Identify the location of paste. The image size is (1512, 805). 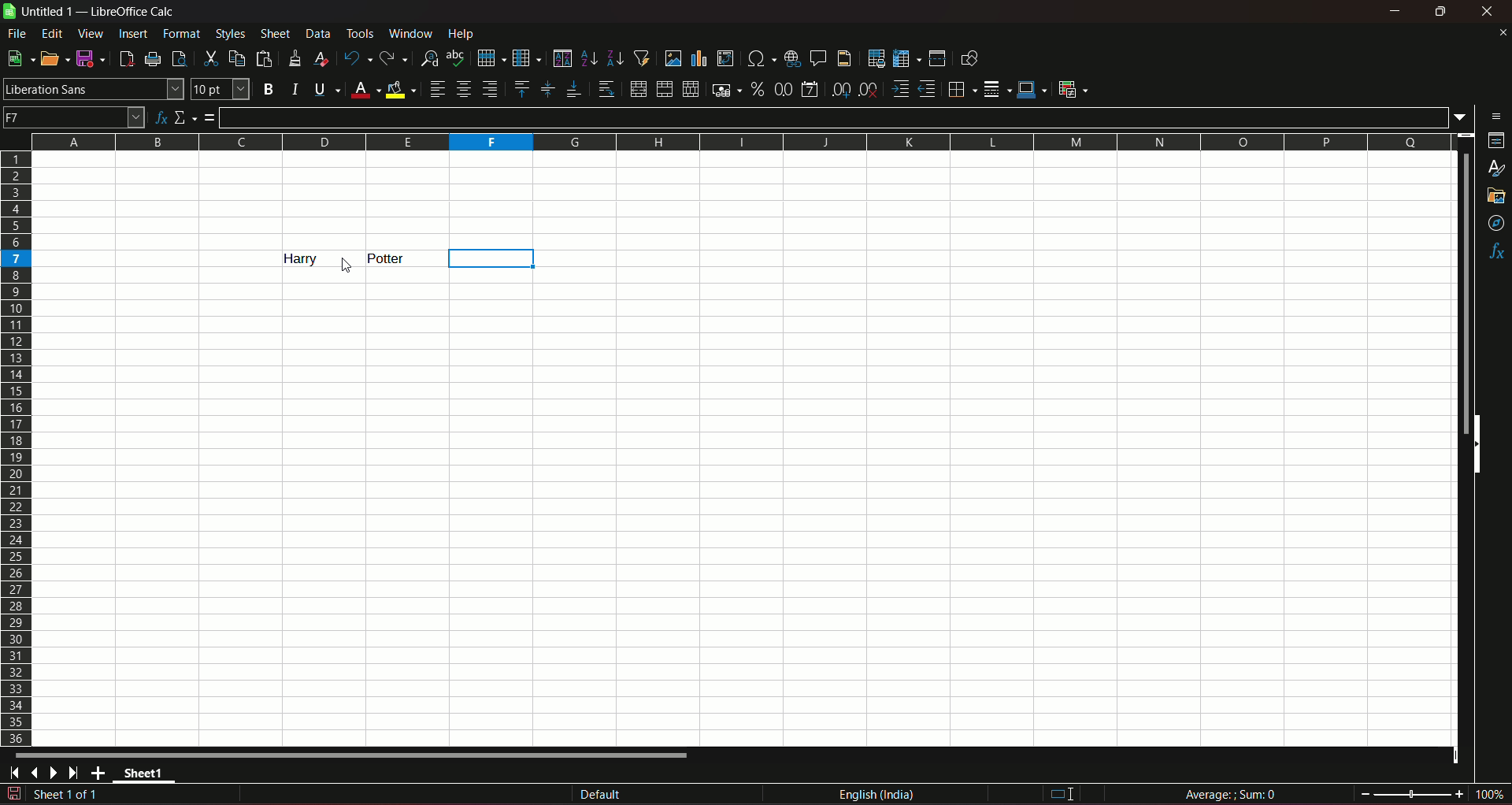
(266, 58).